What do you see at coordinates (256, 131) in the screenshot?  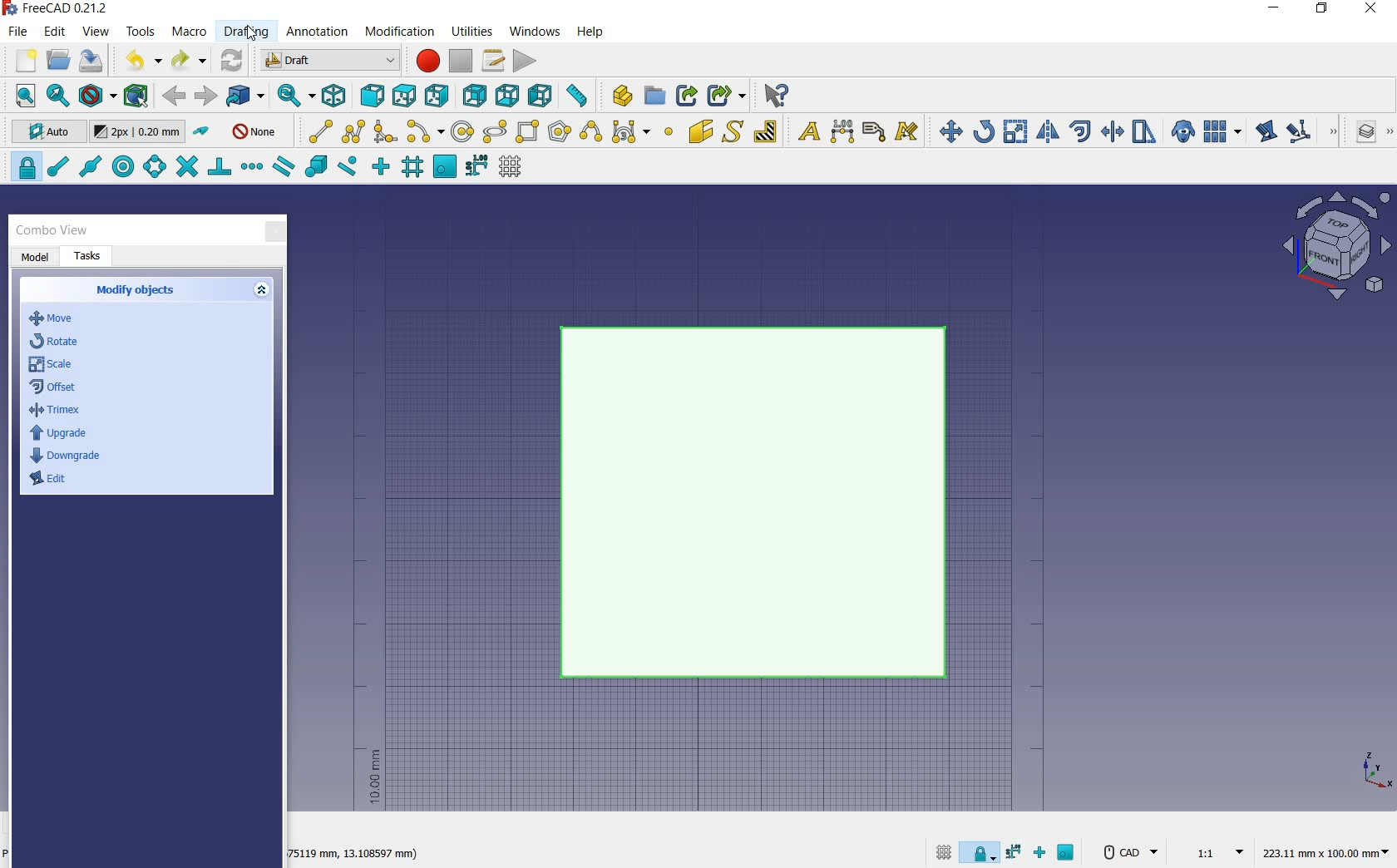 I see `none` at bounding box center [256, 131].